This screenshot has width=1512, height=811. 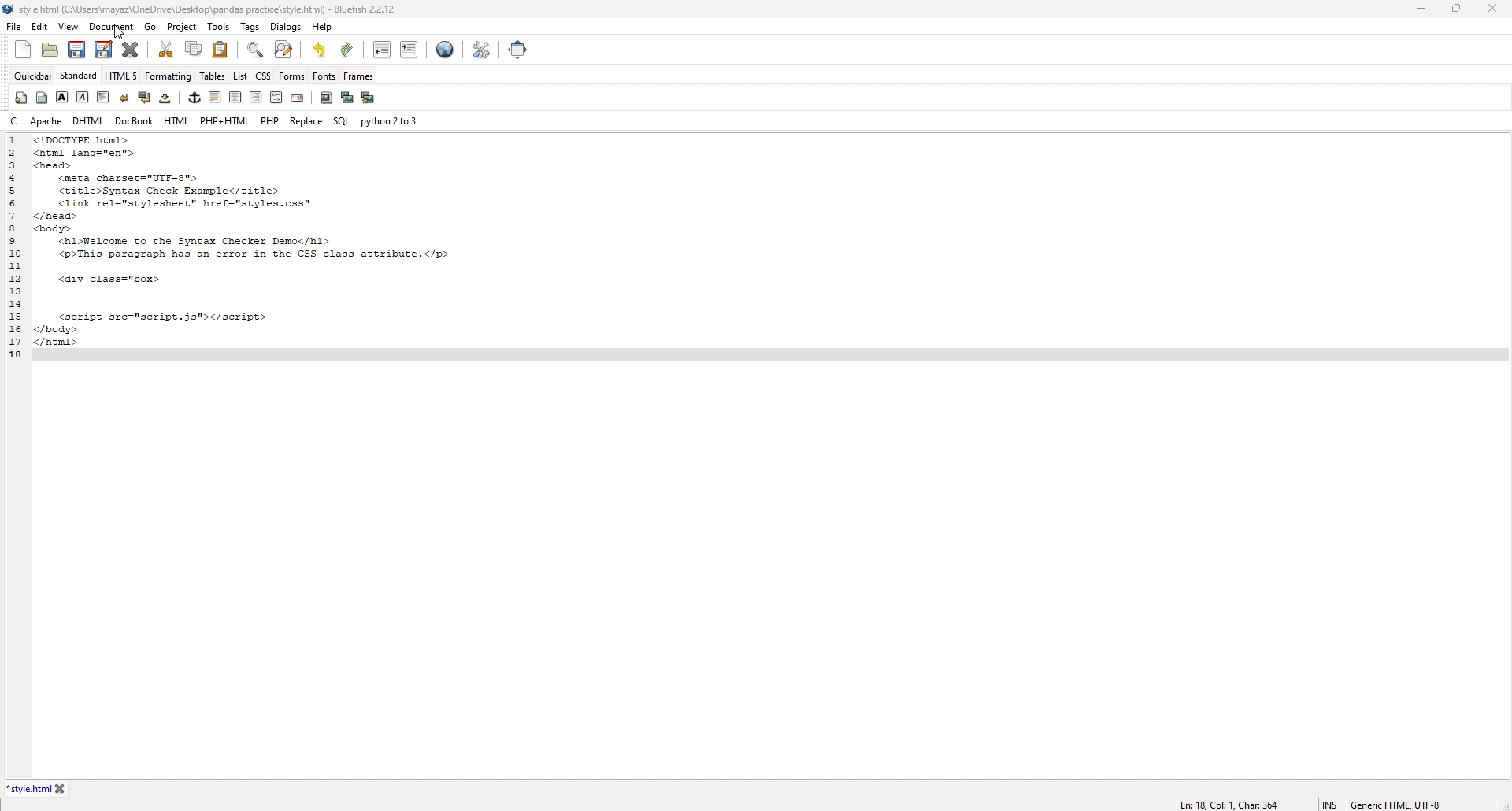 What do you see at coordinates (265, 76) in the screenshot?
I see `css` at bounding box center [265, 76].